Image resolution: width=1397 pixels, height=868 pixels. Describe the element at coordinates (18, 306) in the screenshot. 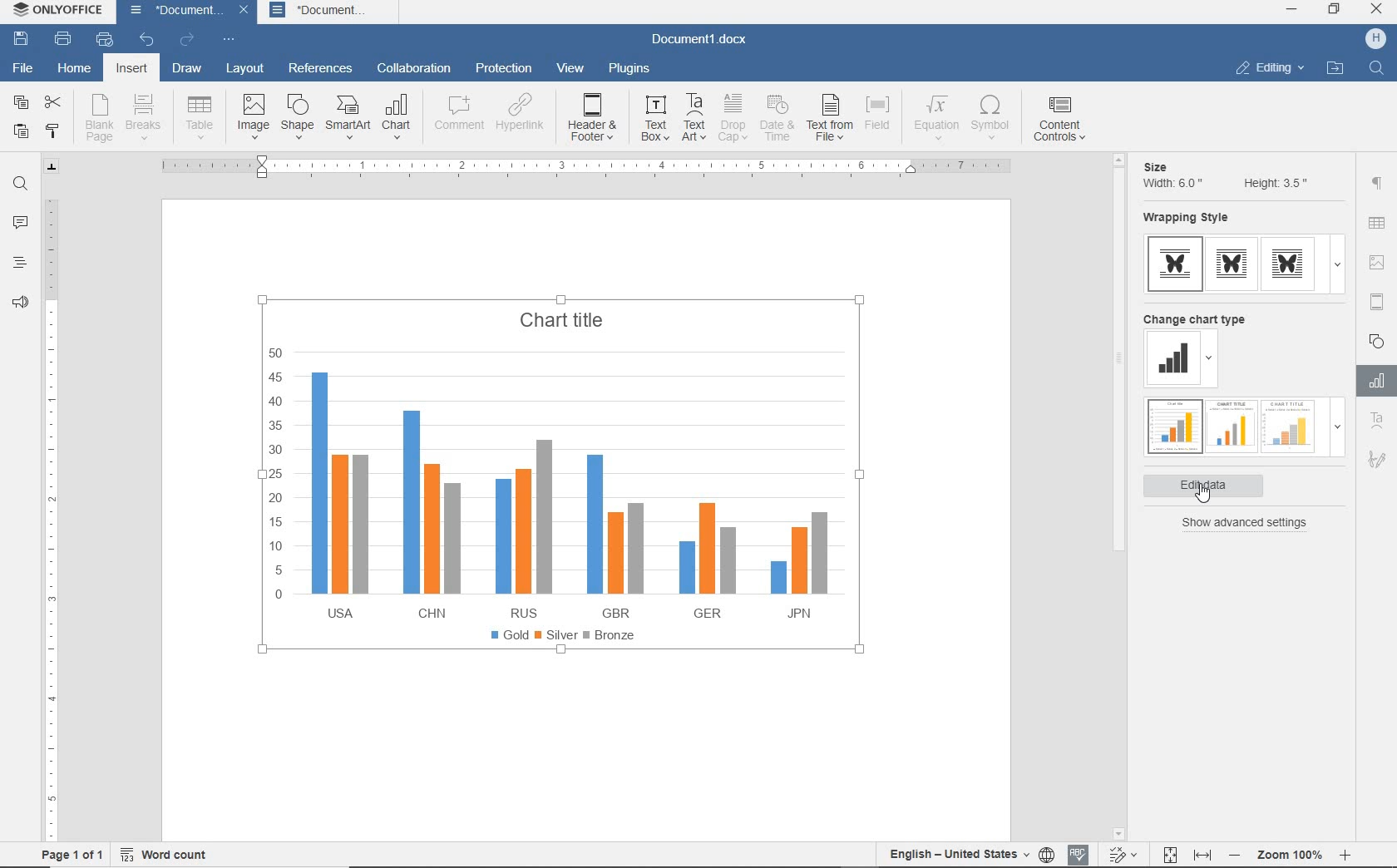

I see `feedback & support` at that location.